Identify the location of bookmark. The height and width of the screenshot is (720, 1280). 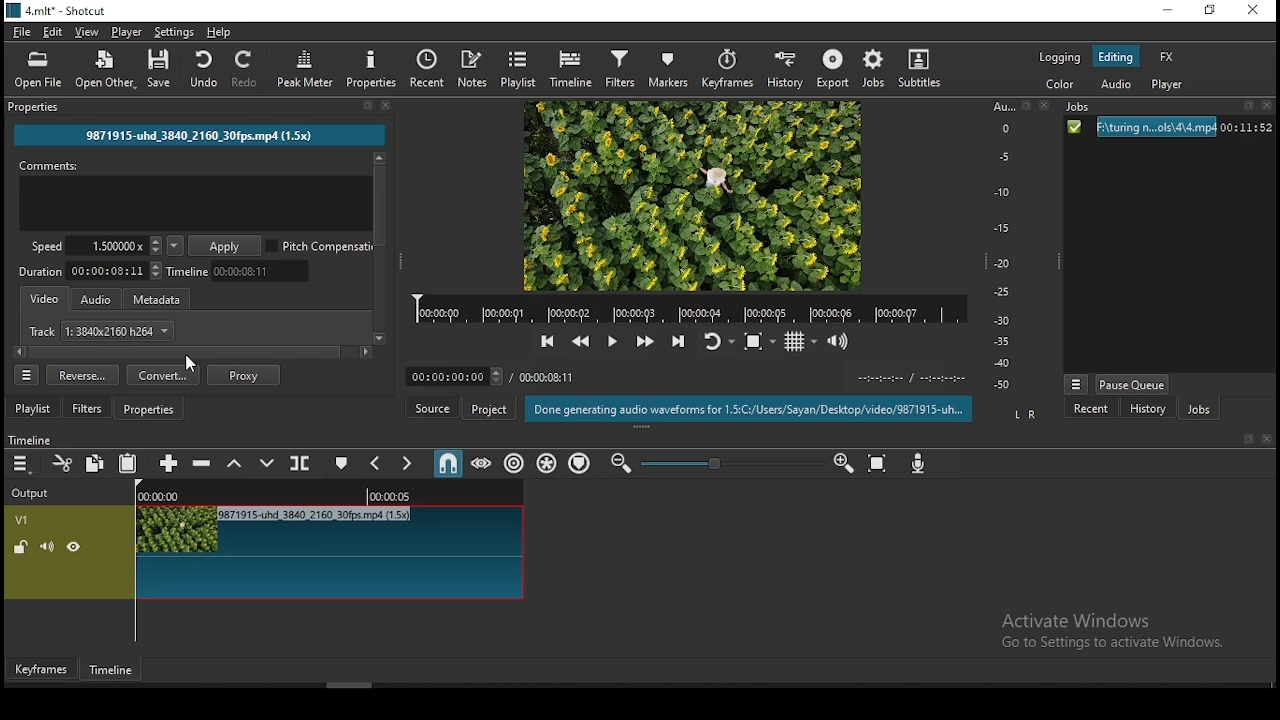
(366, 106).